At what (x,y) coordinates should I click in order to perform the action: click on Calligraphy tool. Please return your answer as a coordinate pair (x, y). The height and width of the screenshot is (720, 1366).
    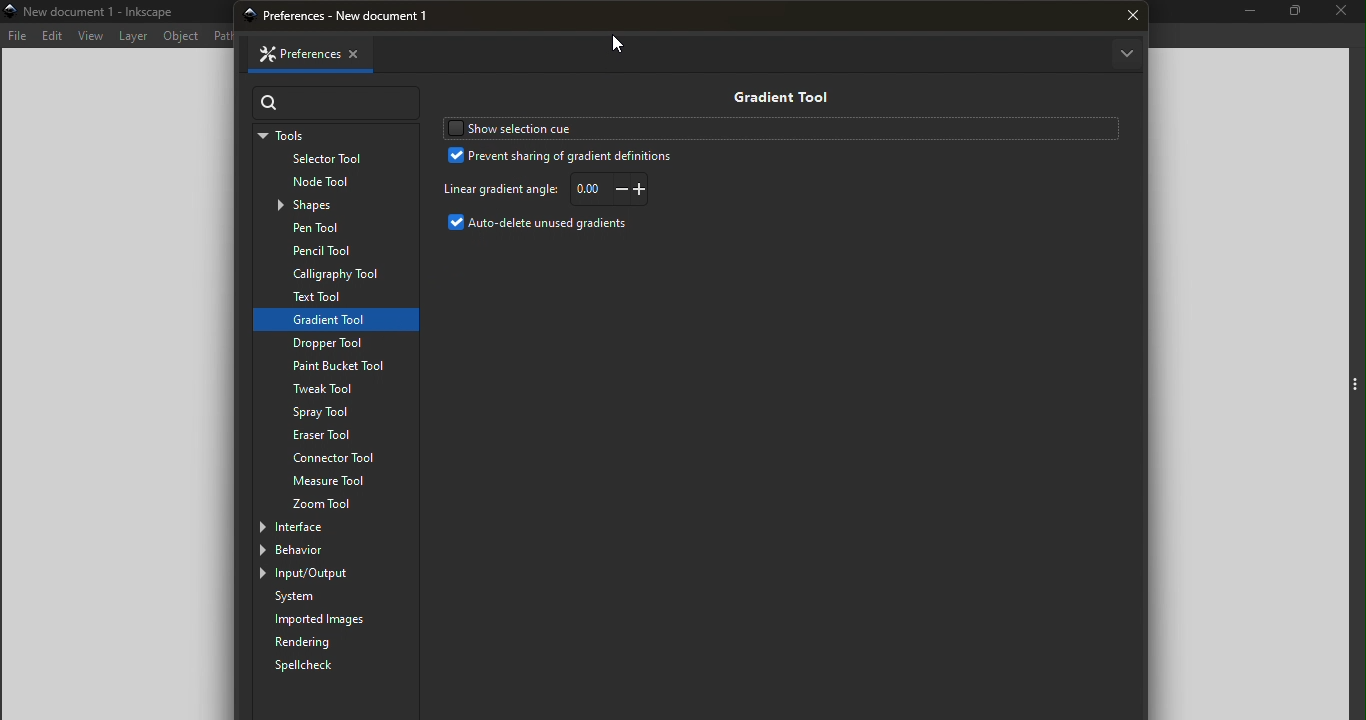
    Looking at the image, I should click on (334, 274).